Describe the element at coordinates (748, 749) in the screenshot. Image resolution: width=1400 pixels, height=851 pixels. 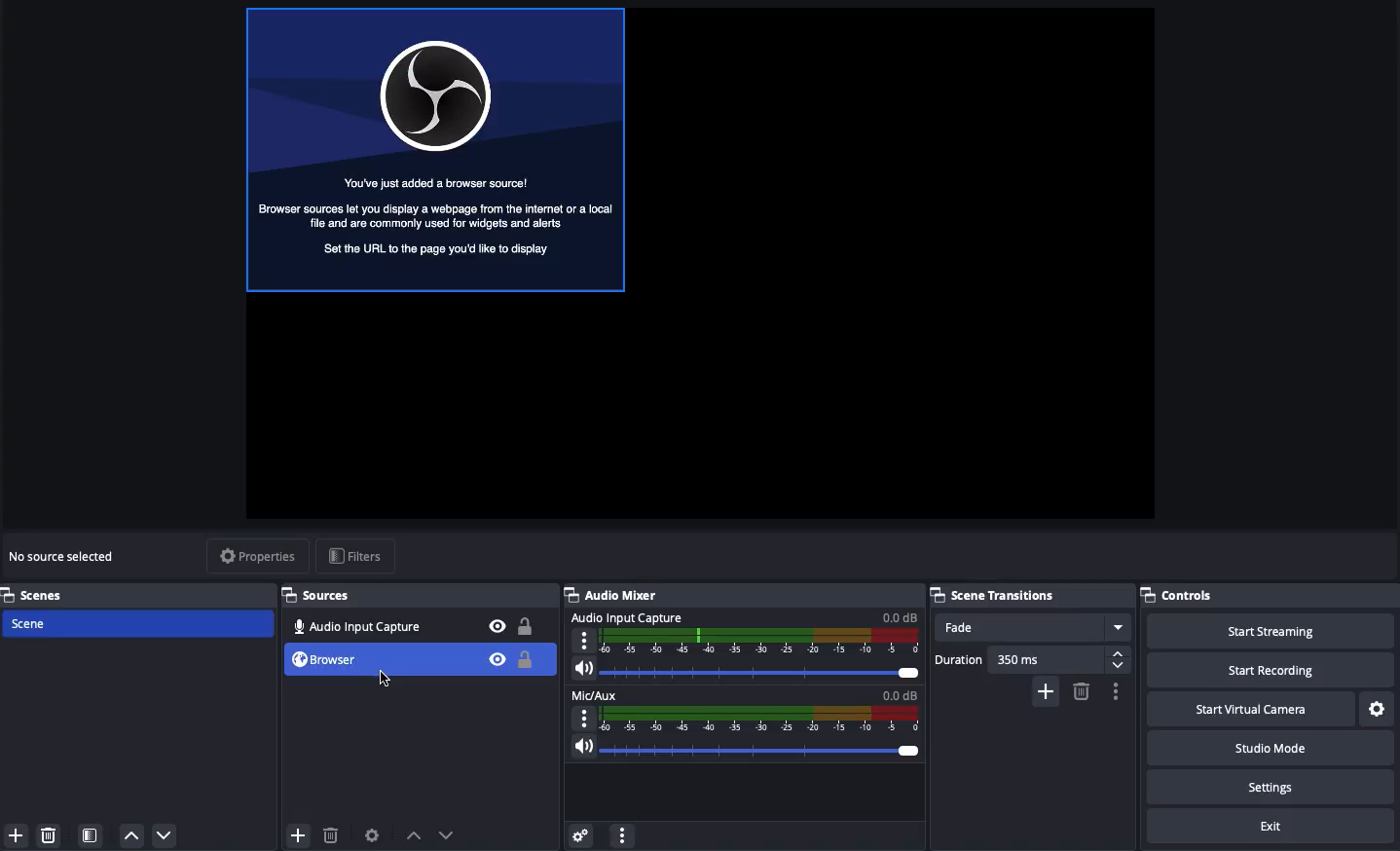
I see `Volume` at that location.